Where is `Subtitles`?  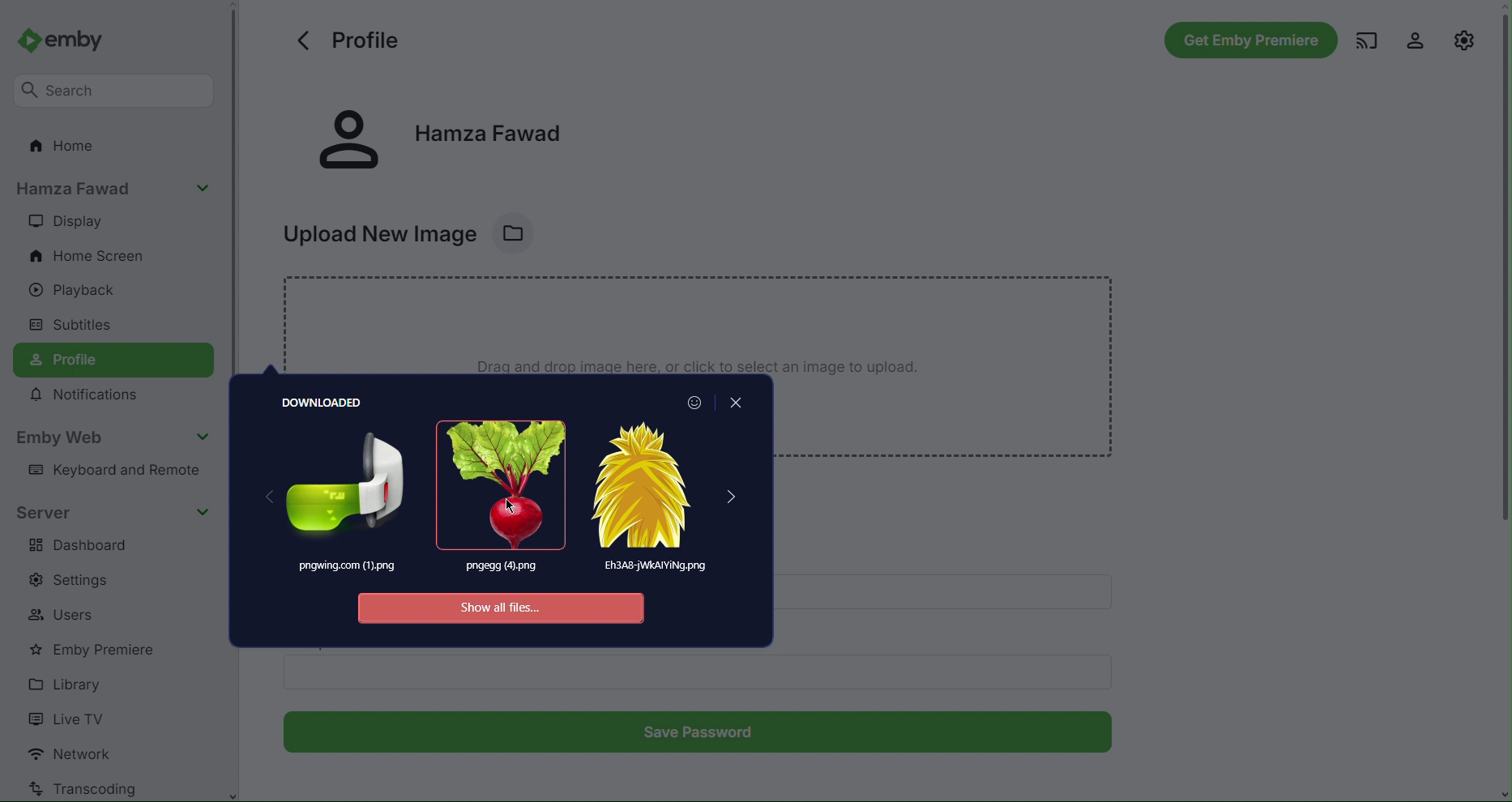 Subtitles is located at coordinates (73, 323).